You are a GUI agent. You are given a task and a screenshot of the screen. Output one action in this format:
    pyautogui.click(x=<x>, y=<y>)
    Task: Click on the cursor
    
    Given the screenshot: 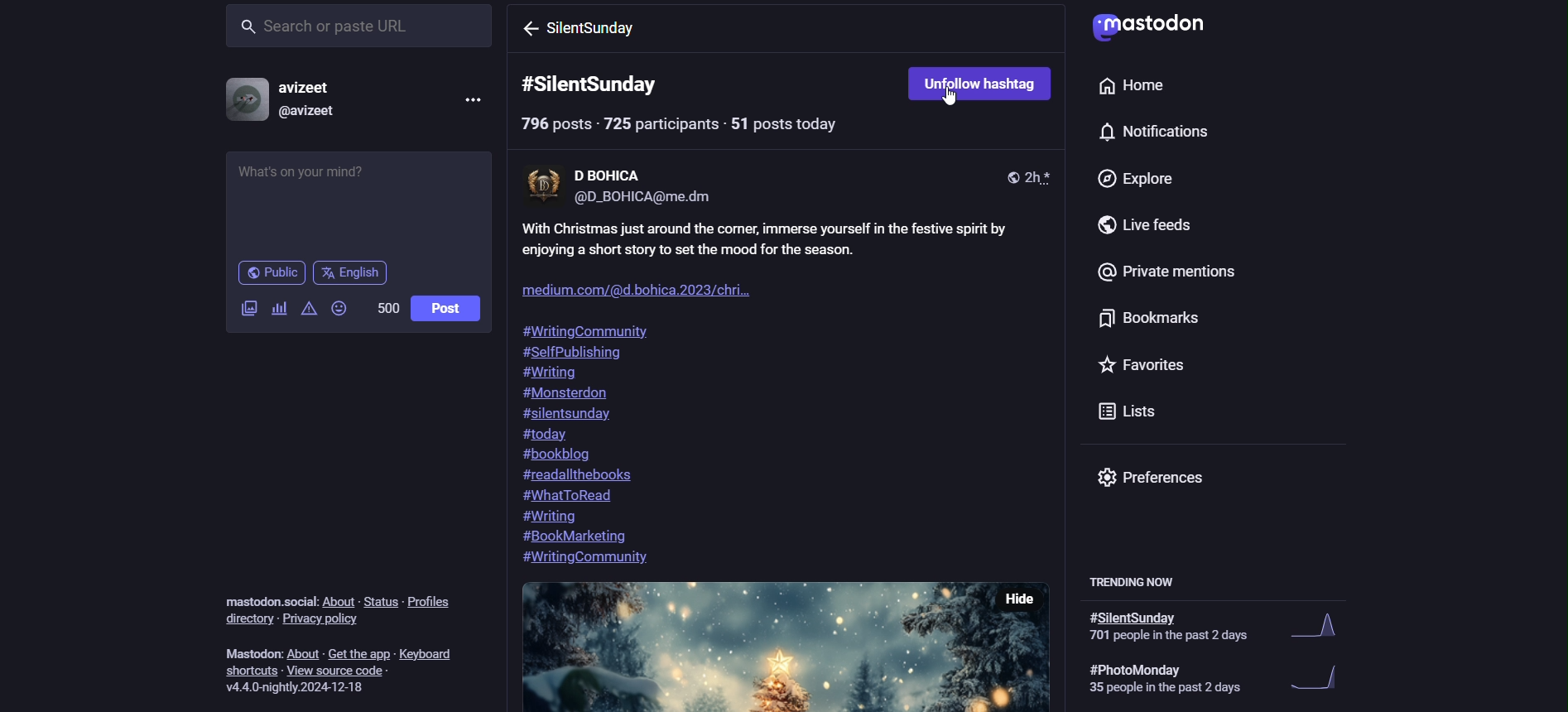 What is the action you would take?
    pyautogui.click(x=948, y=106)
    